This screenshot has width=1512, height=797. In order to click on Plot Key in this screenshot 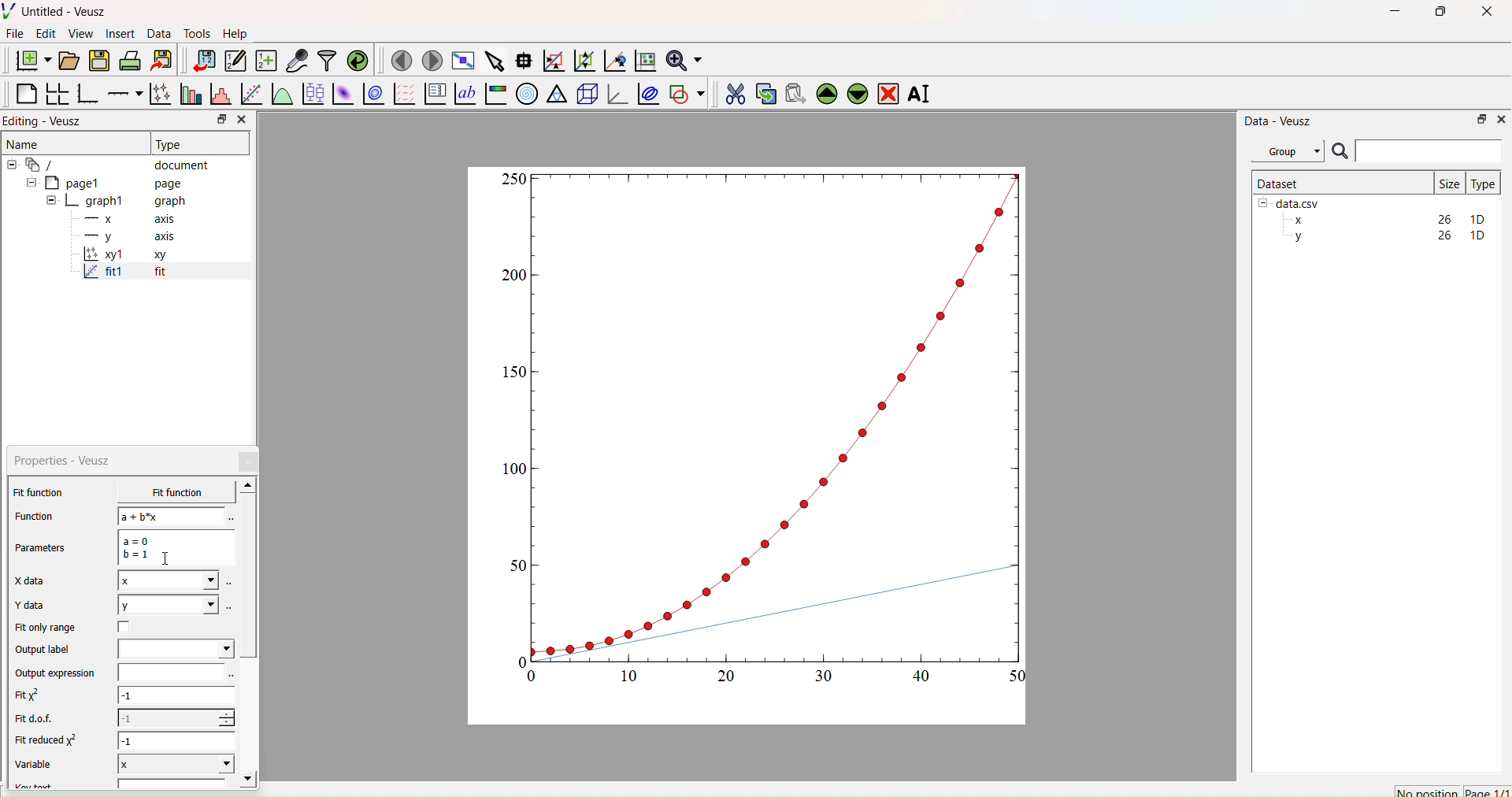, I will do `click(435, 94)`.